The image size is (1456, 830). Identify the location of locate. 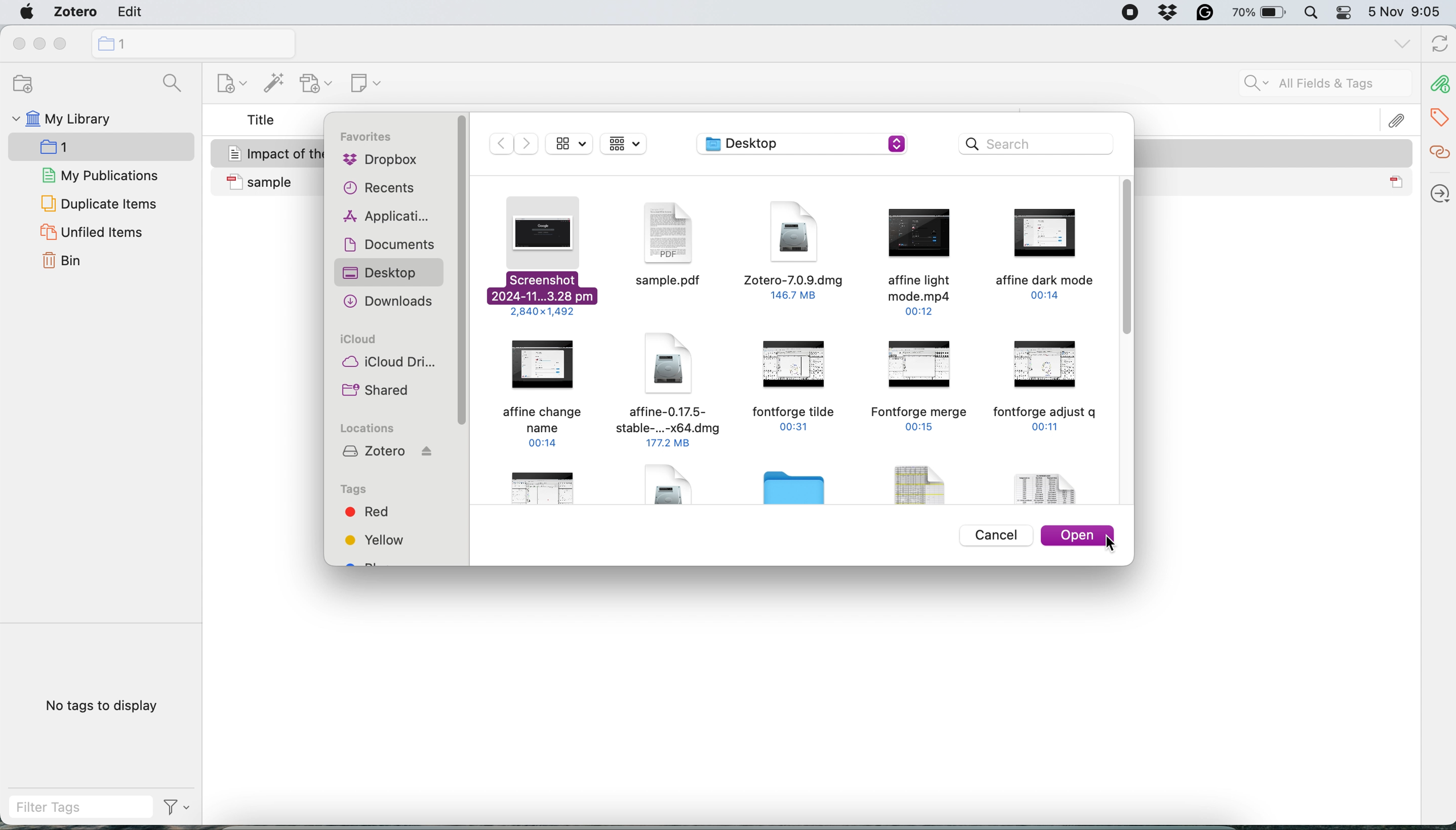
(1438, 189).